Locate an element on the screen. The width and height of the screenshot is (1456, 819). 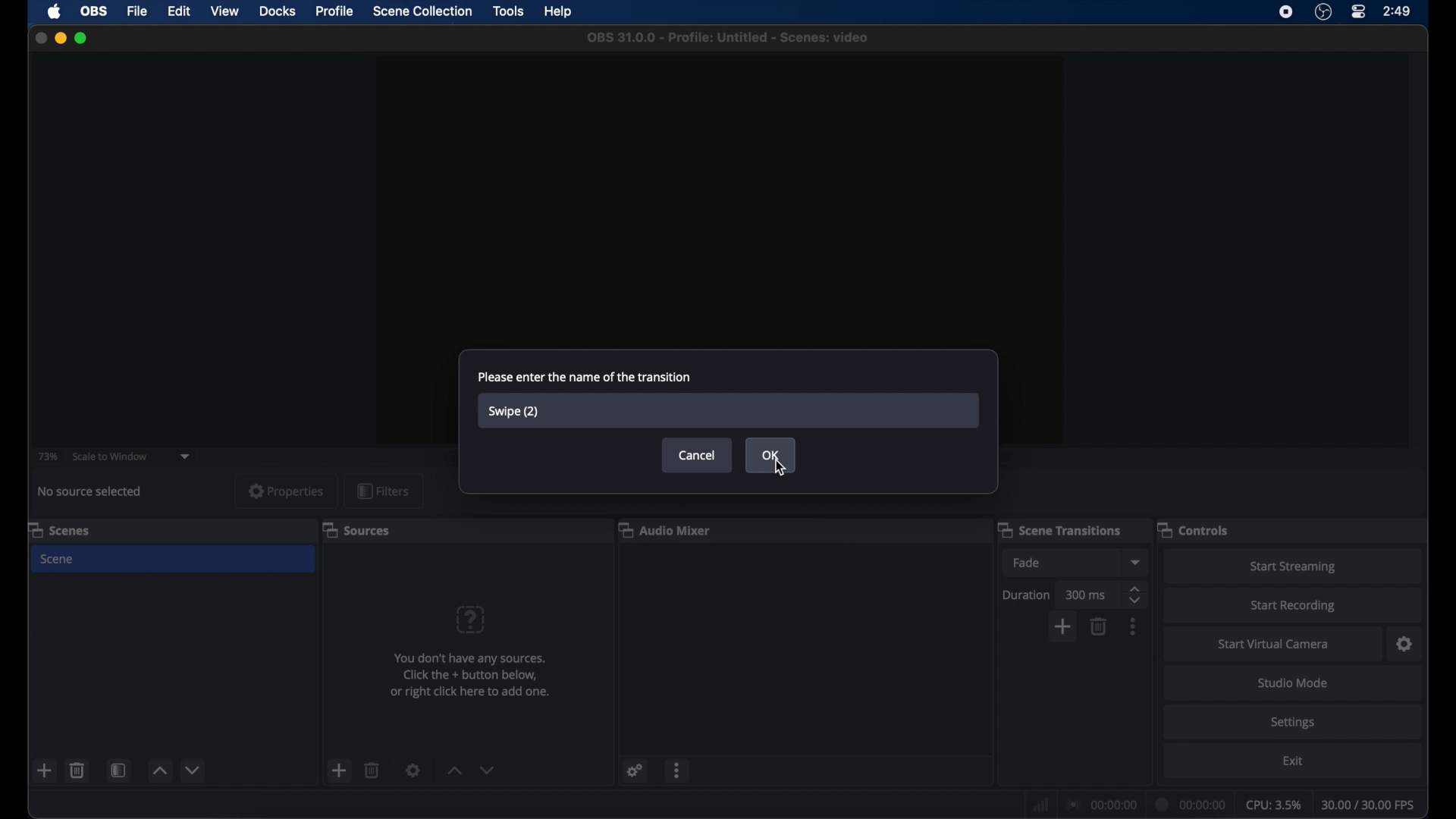
scene is located at coordinates (58, 559).